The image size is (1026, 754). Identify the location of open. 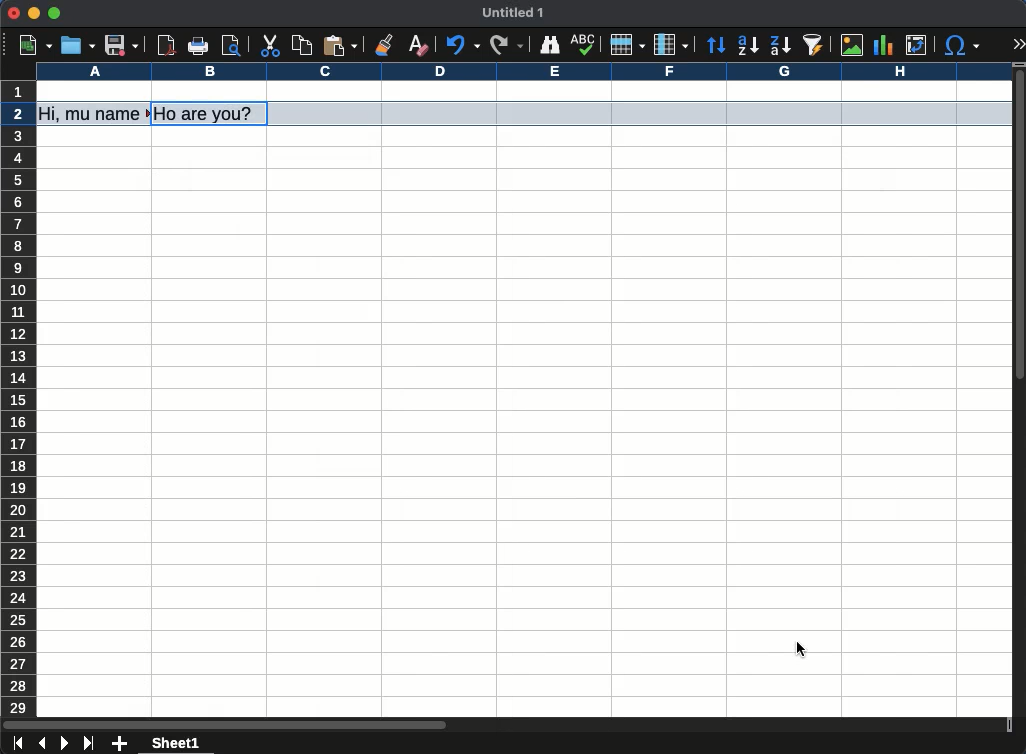
(76, 45).